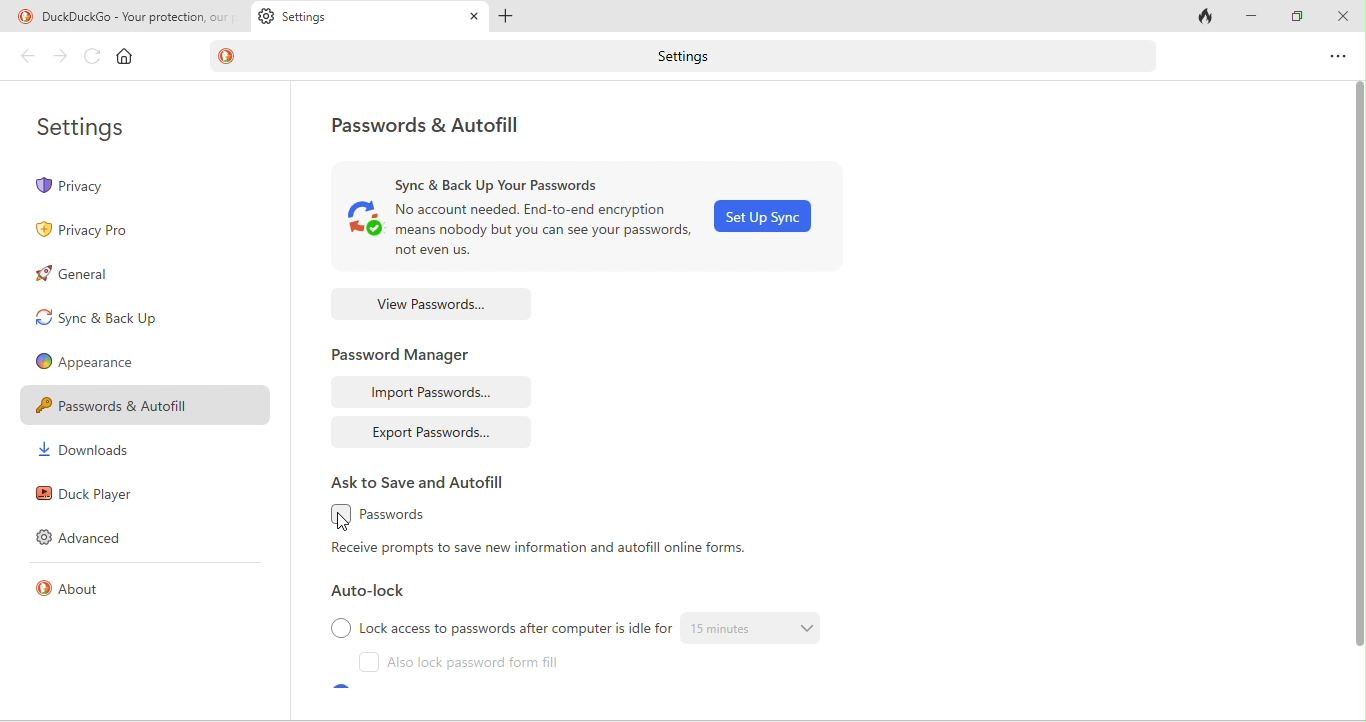 The height and width of the screenshot is (722, 1366). I want to click on back, so click(27, 58).